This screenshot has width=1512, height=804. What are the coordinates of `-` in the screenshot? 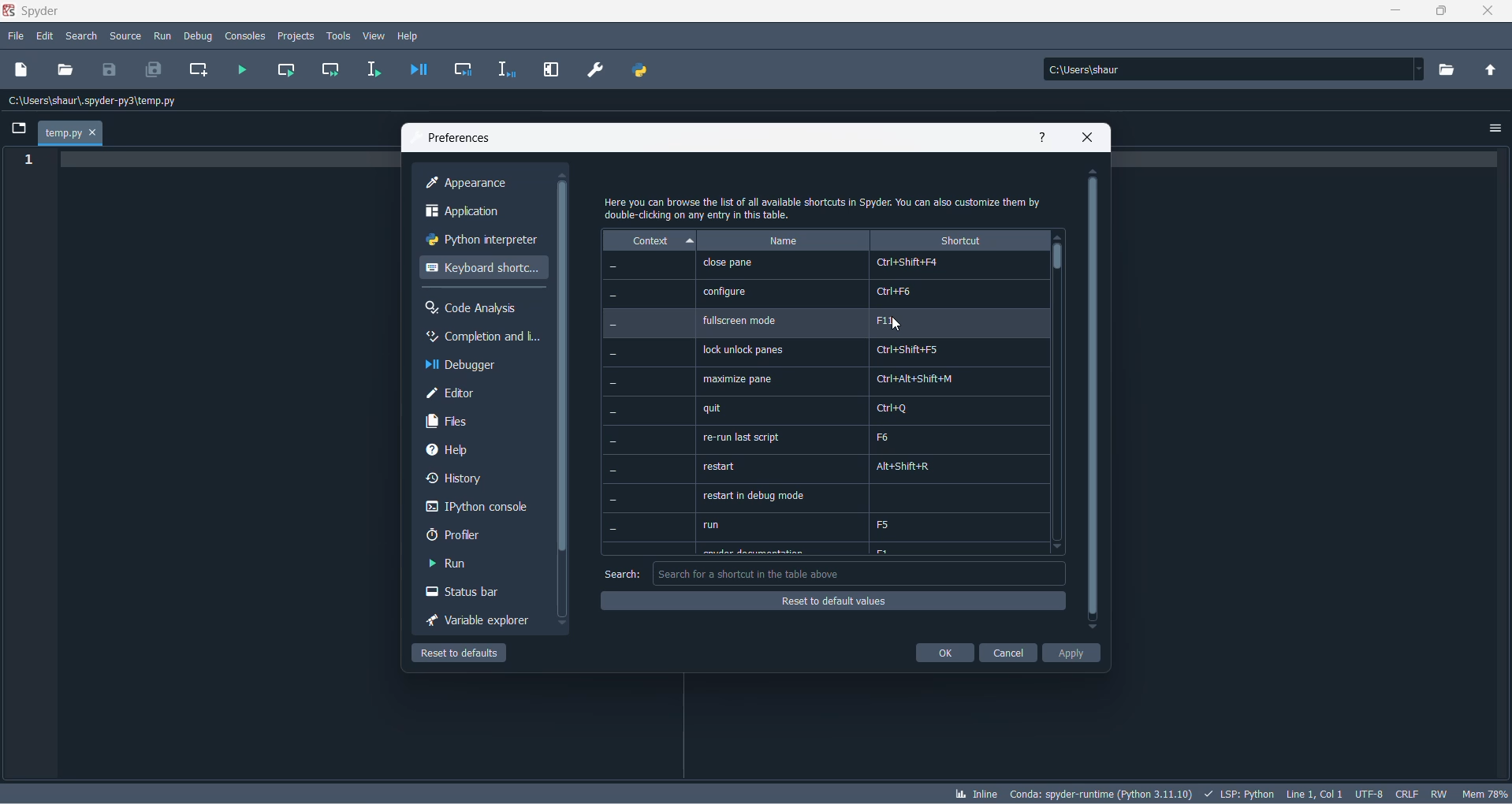 It's located at (615, 529).